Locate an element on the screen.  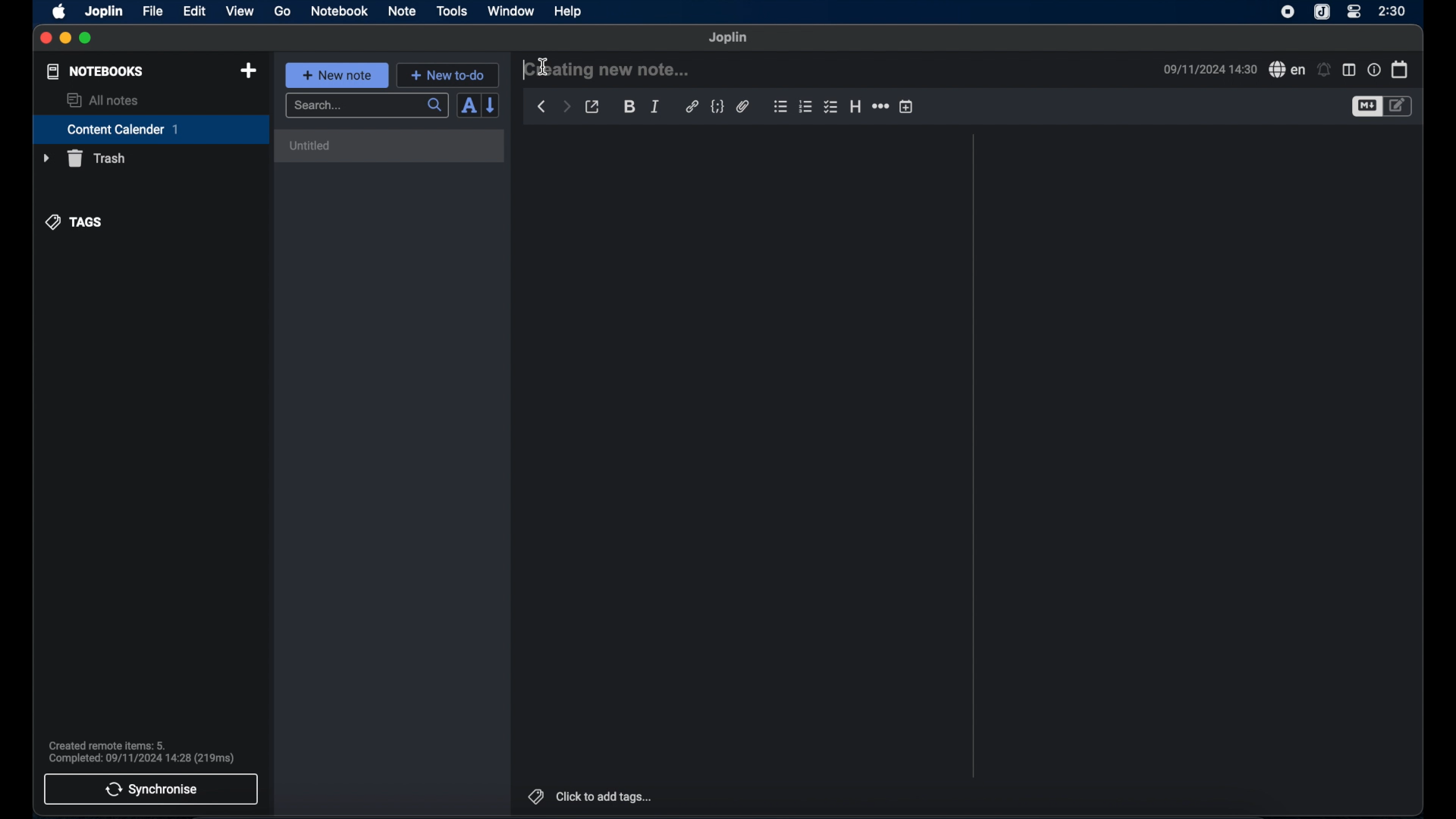
numbered list is located at coordinates (805, 107).